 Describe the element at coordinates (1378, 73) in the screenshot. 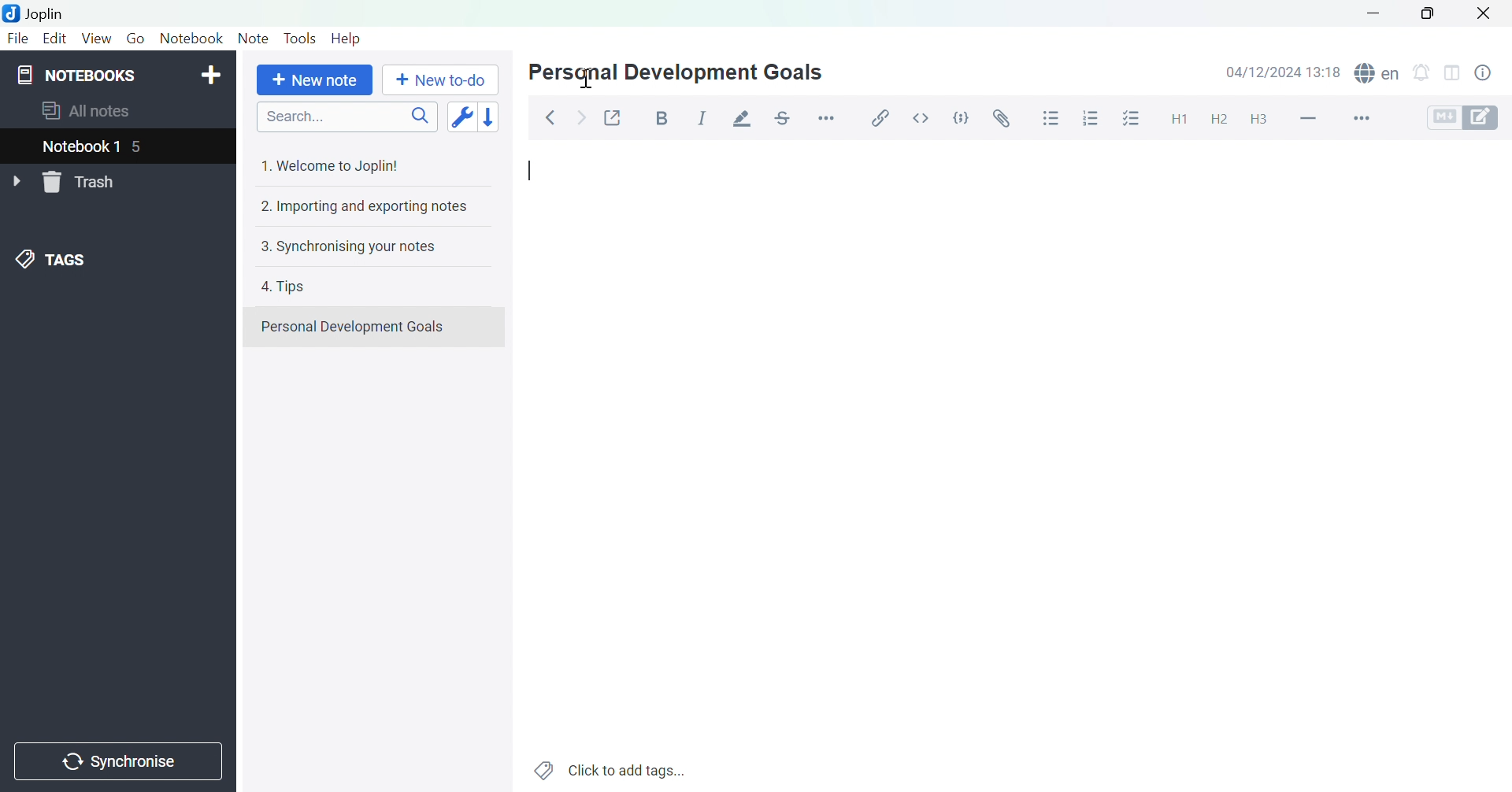

I see `spell checker` at that location.